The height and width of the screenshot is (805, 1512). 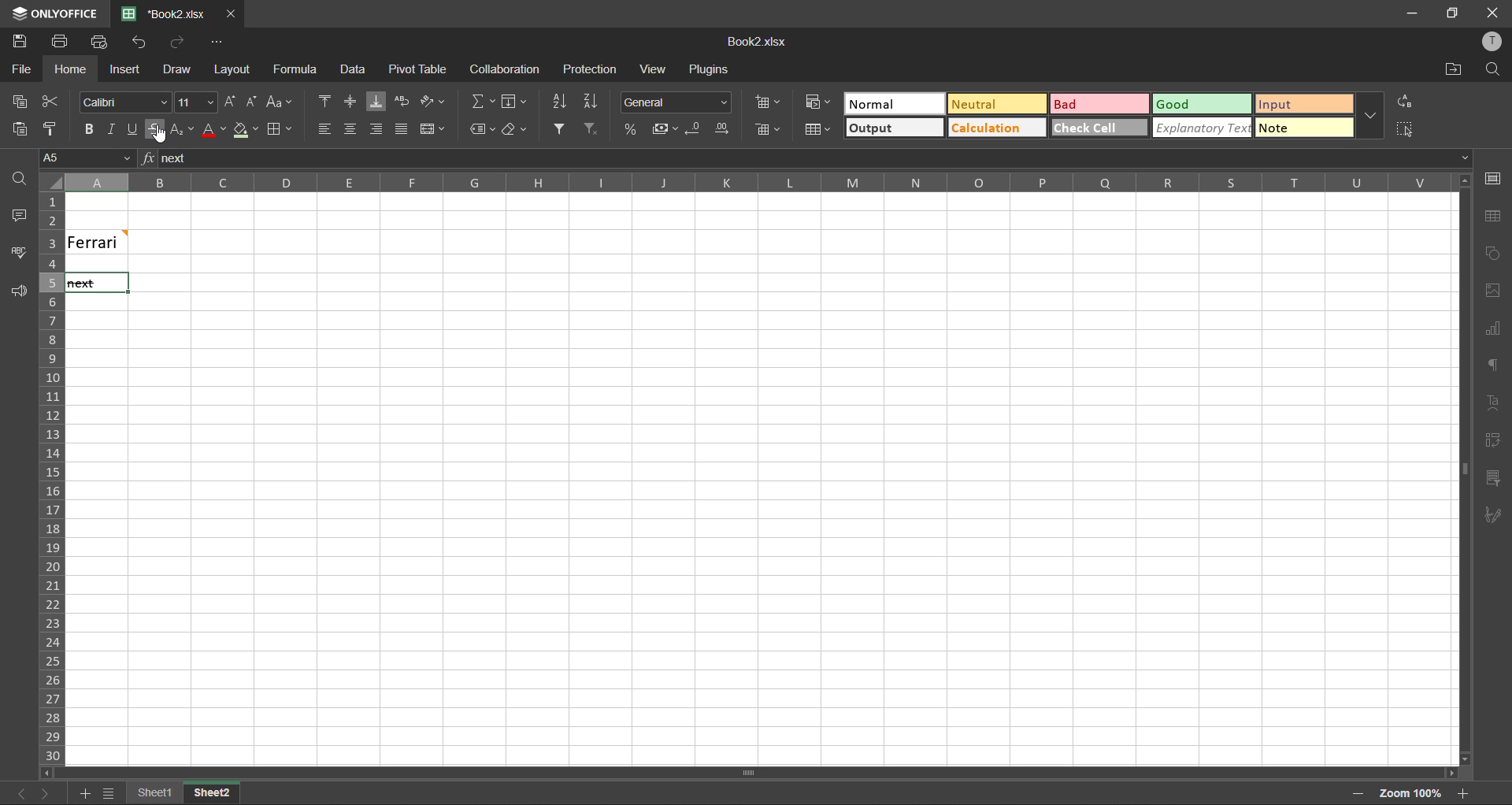 I want to click on conditional formatting, so click(x=815, y=101).